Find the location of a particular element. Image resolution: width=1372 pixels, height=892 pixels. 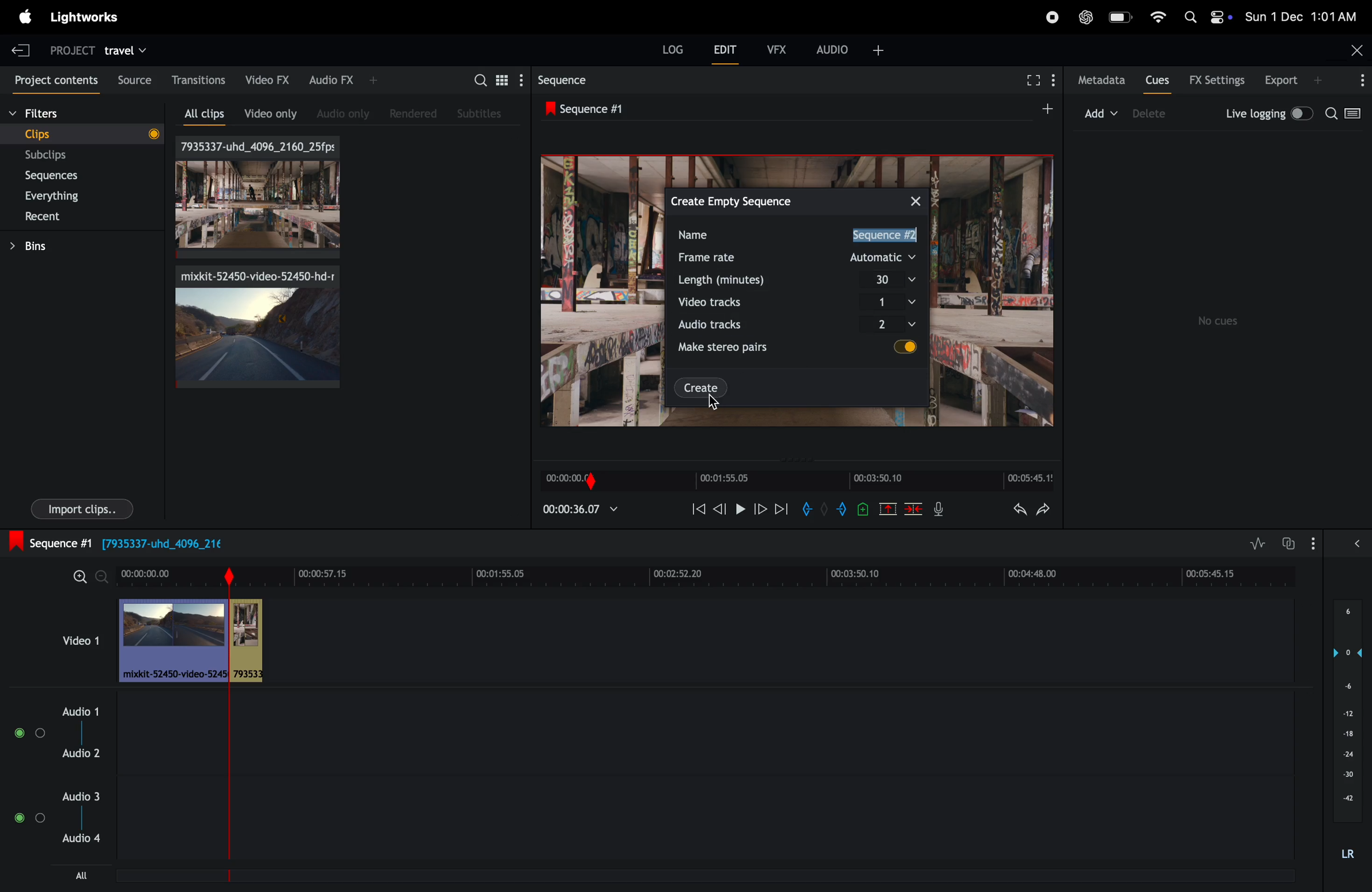

Horizontal scroll bar is located at coordinates (310, 879).